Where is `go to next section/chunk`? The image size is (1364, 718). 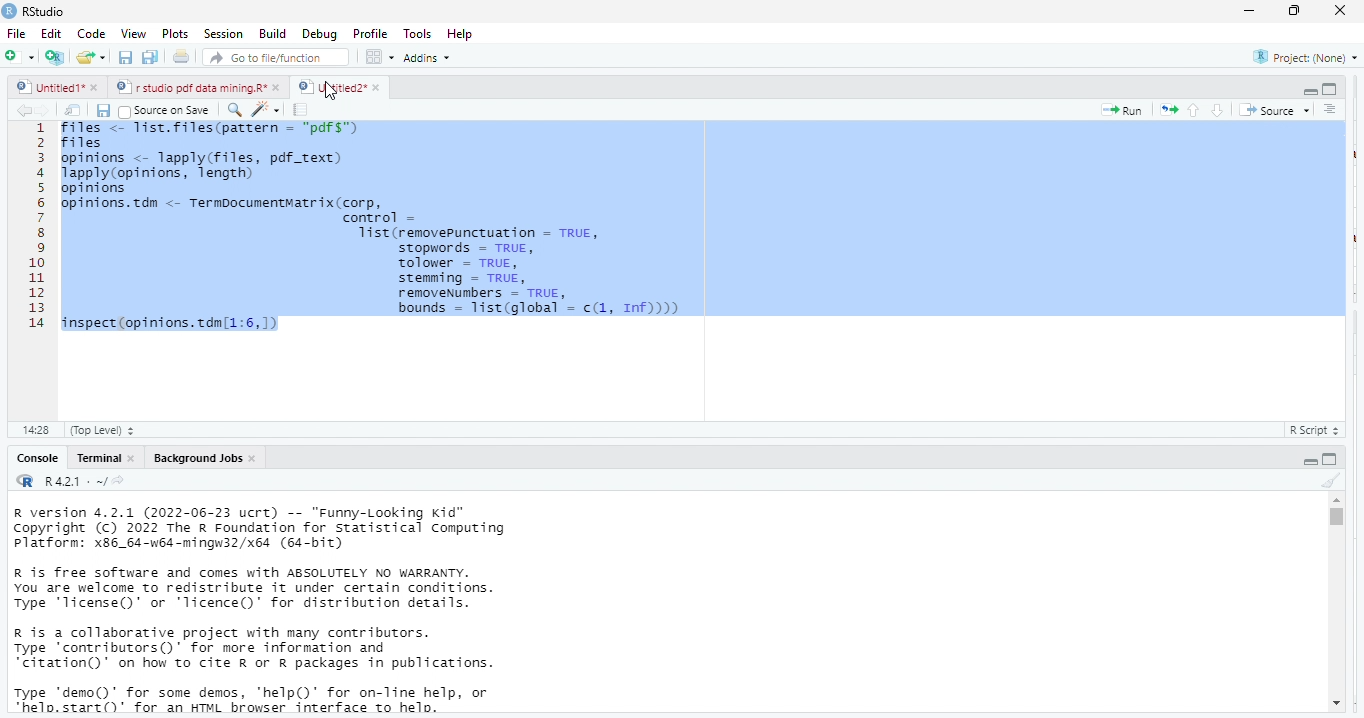
go to next section/chunk is located at coordinates (1219, 110).